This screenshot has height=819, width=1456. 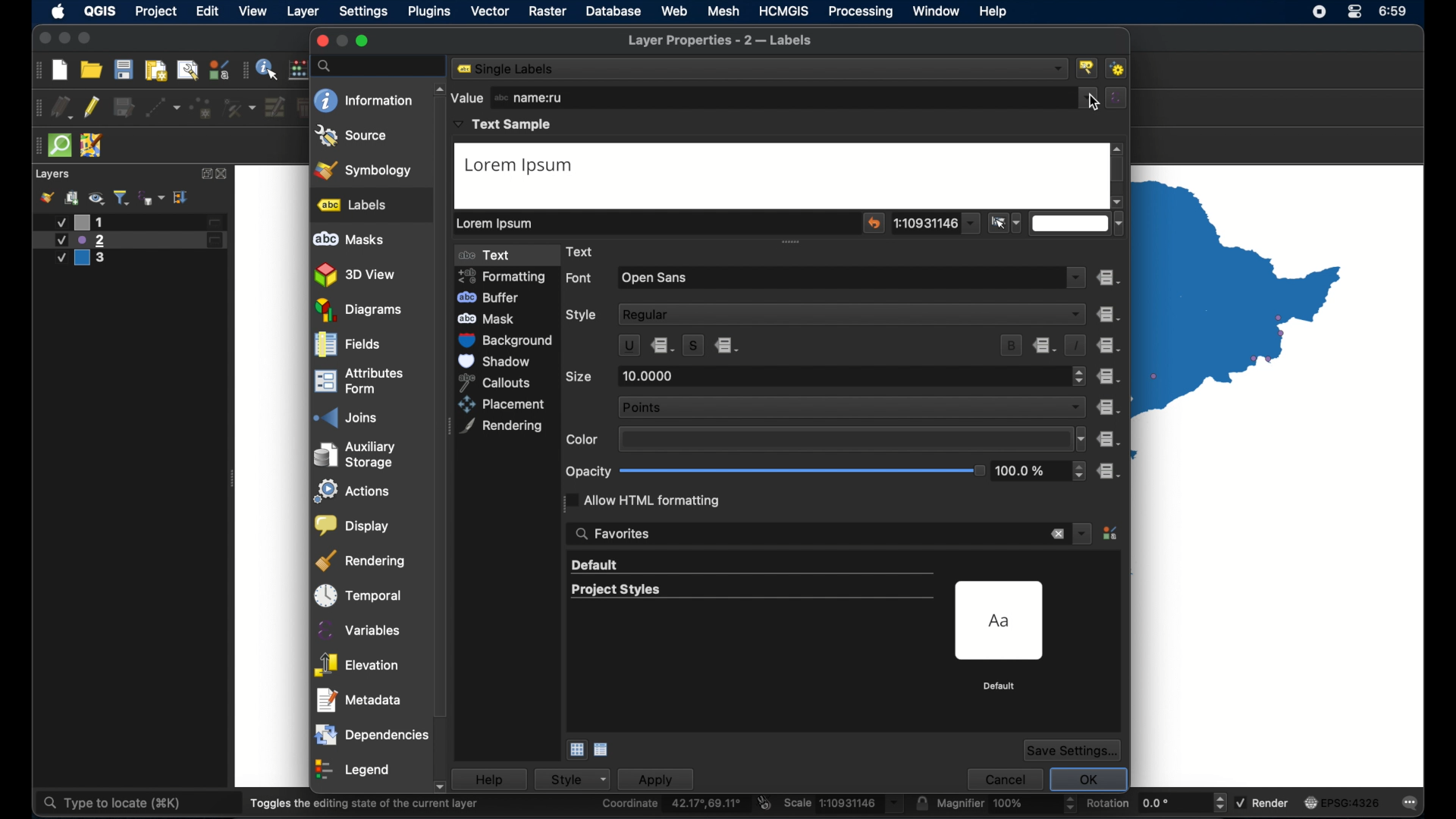 What do you see at coordinates (1073, 750) in the screenshot?
I see `save settings` at bounding box center [1073, 750].